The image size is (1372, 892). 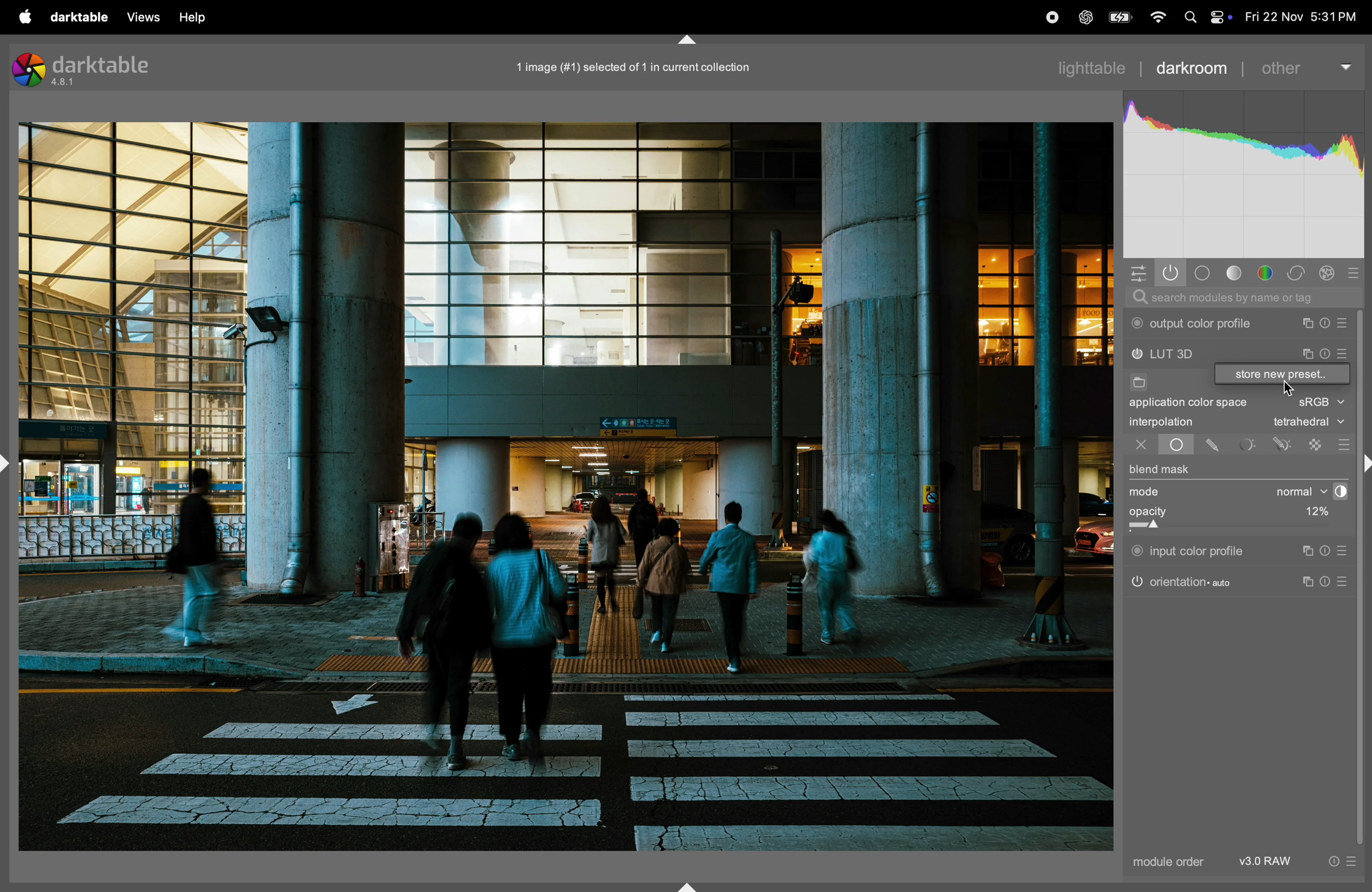 What do you see at coordinates (1296, 864) in the screenshot?
I see `v3.0 raw` at bounding box center [1296, 864].